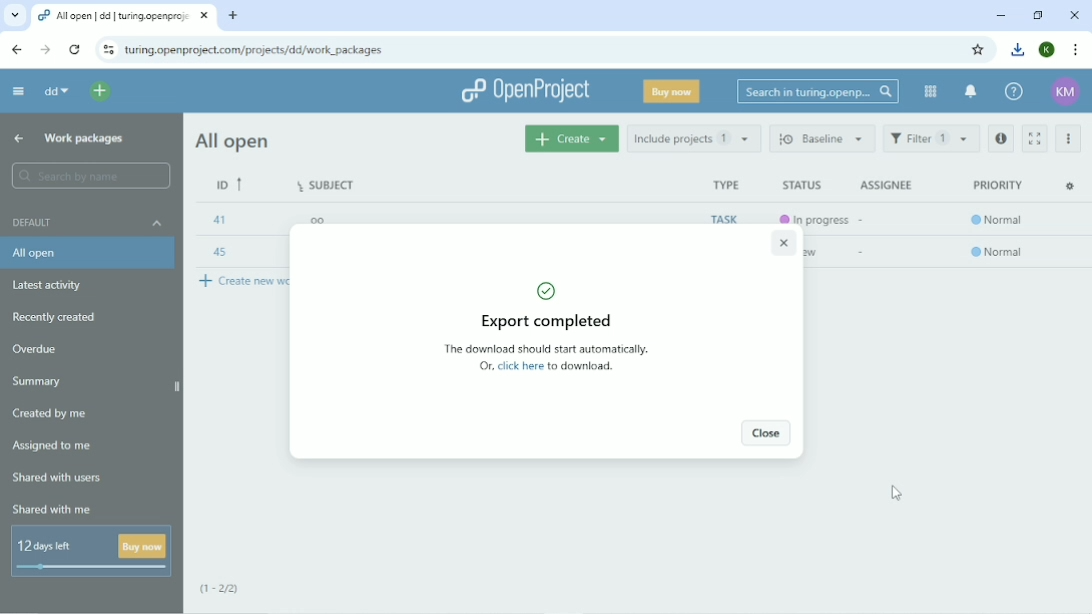  Describe the element at coordinates (970, 92) in the screenshot. I see `To notification center` at that location.